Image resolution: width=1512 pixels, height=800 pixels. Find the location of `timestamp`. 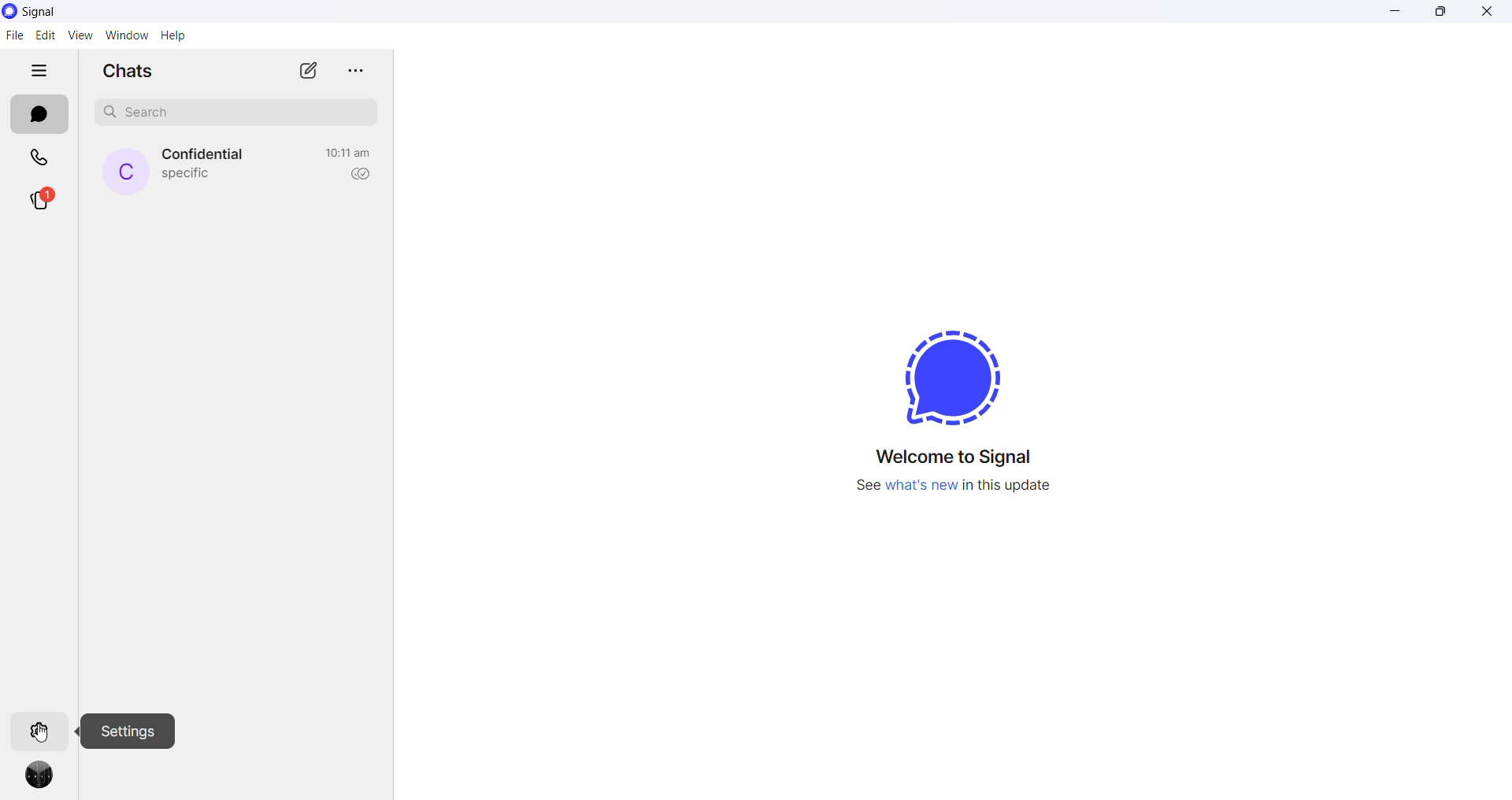

timestamp is located at coordinates (348, 153).